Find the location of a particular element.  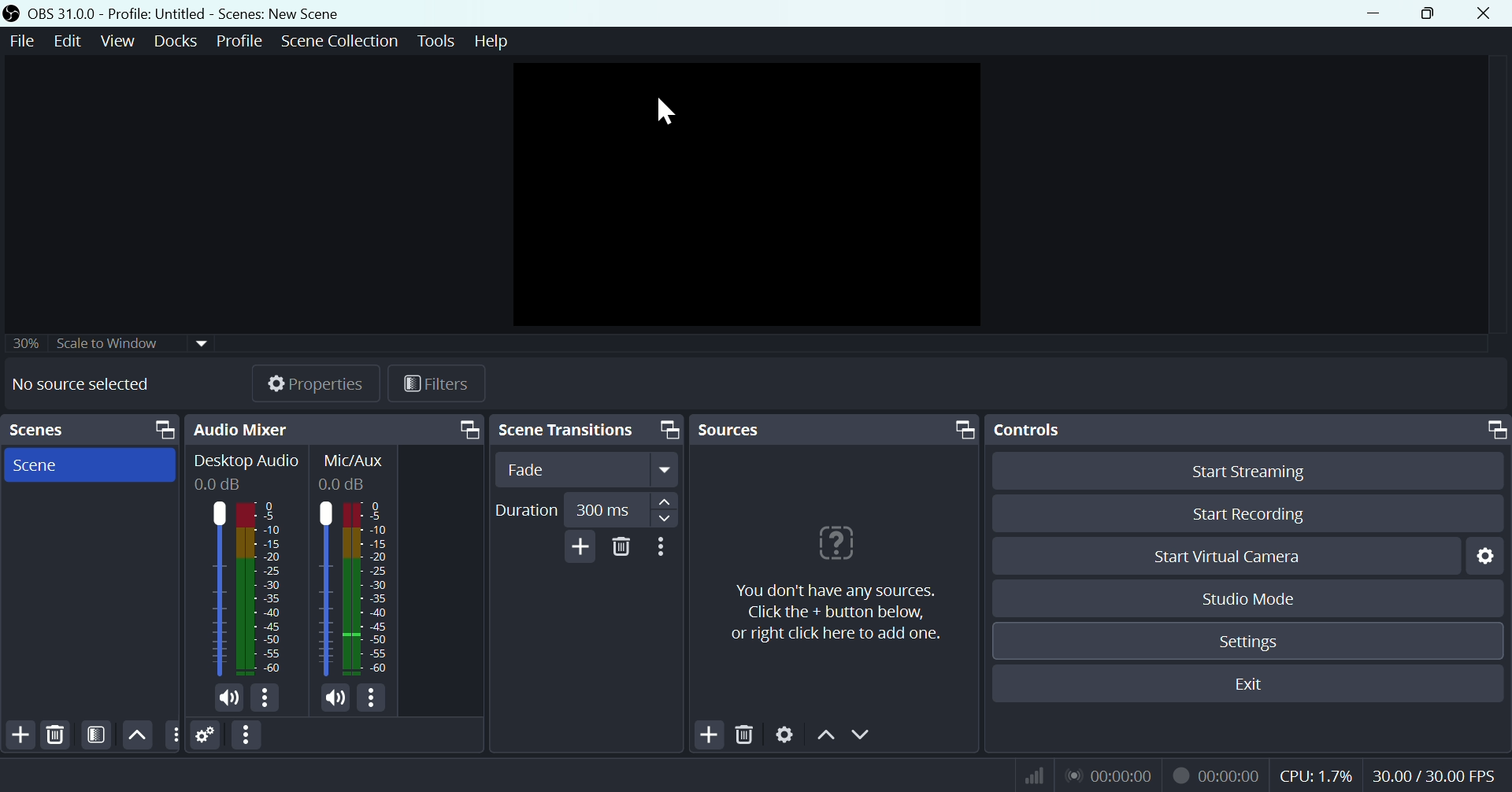

Select to window is located at coordinates (113, 347).